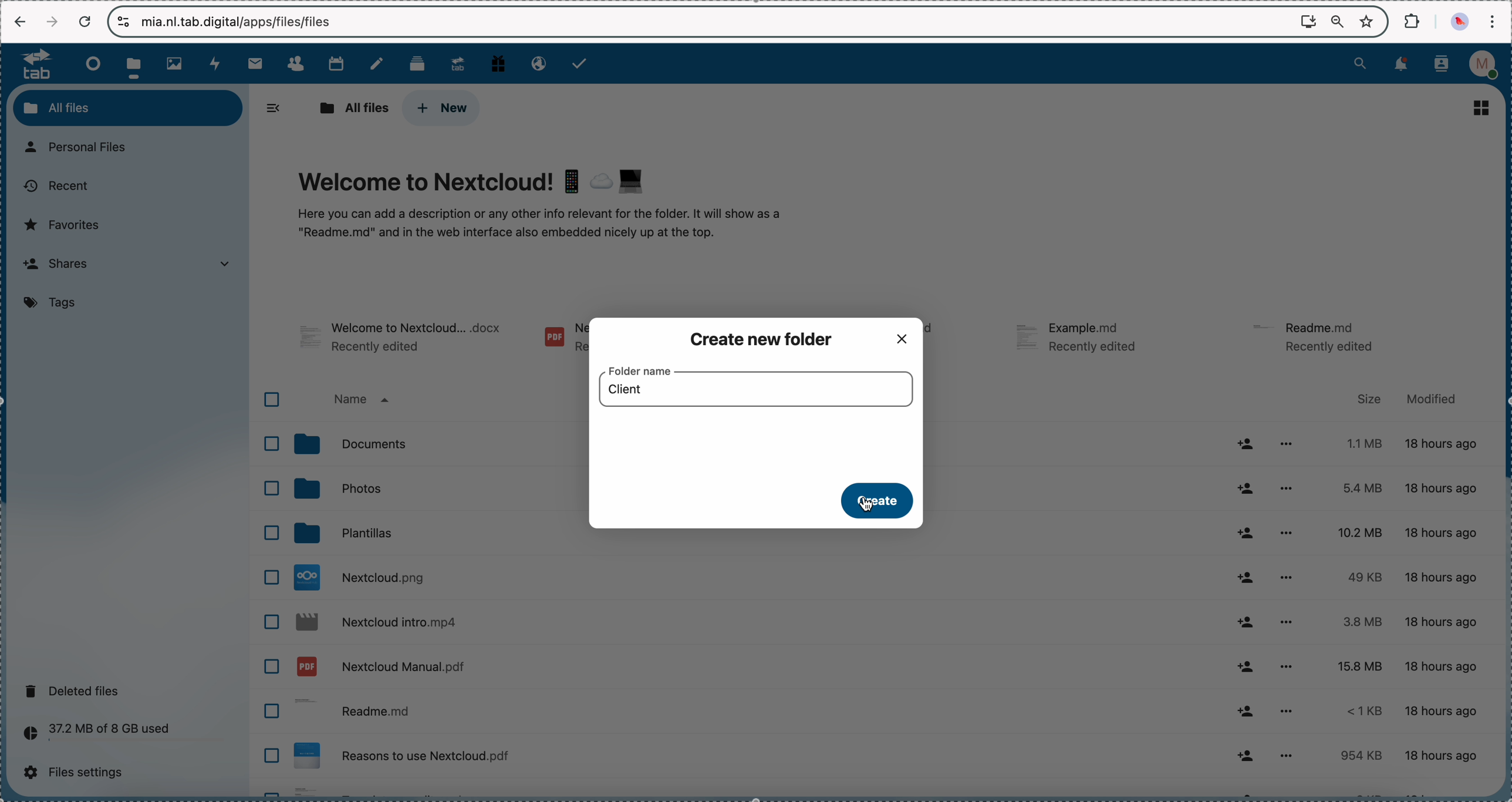 The image size is (1512, 802). What do you see at coordinates (434, 442) in the screenshot?
I see `documents` at bounding box center [434, 442].